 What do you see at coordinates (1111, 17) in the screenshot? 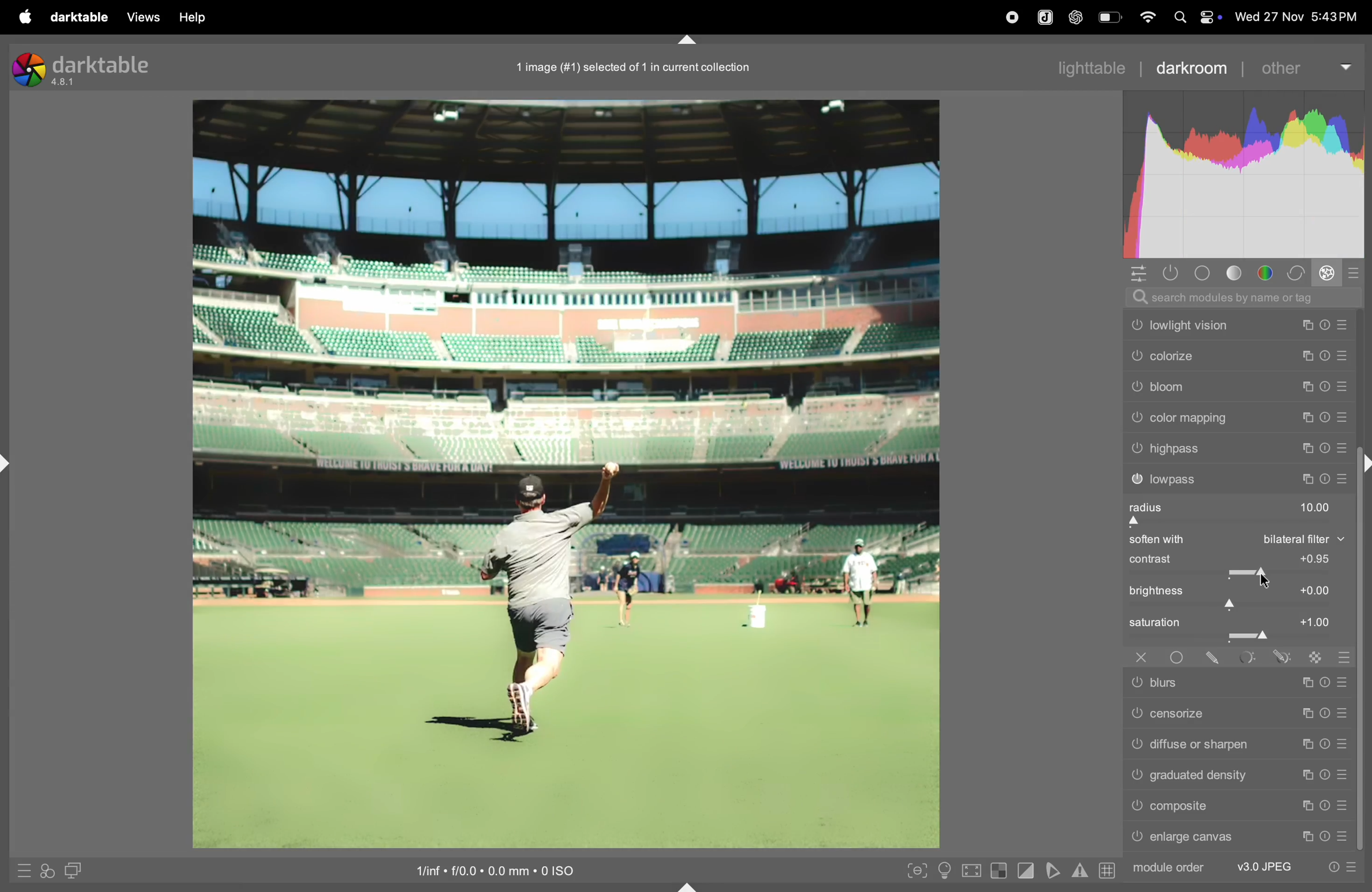
I see `battery` at bounding box center [1111, 17].